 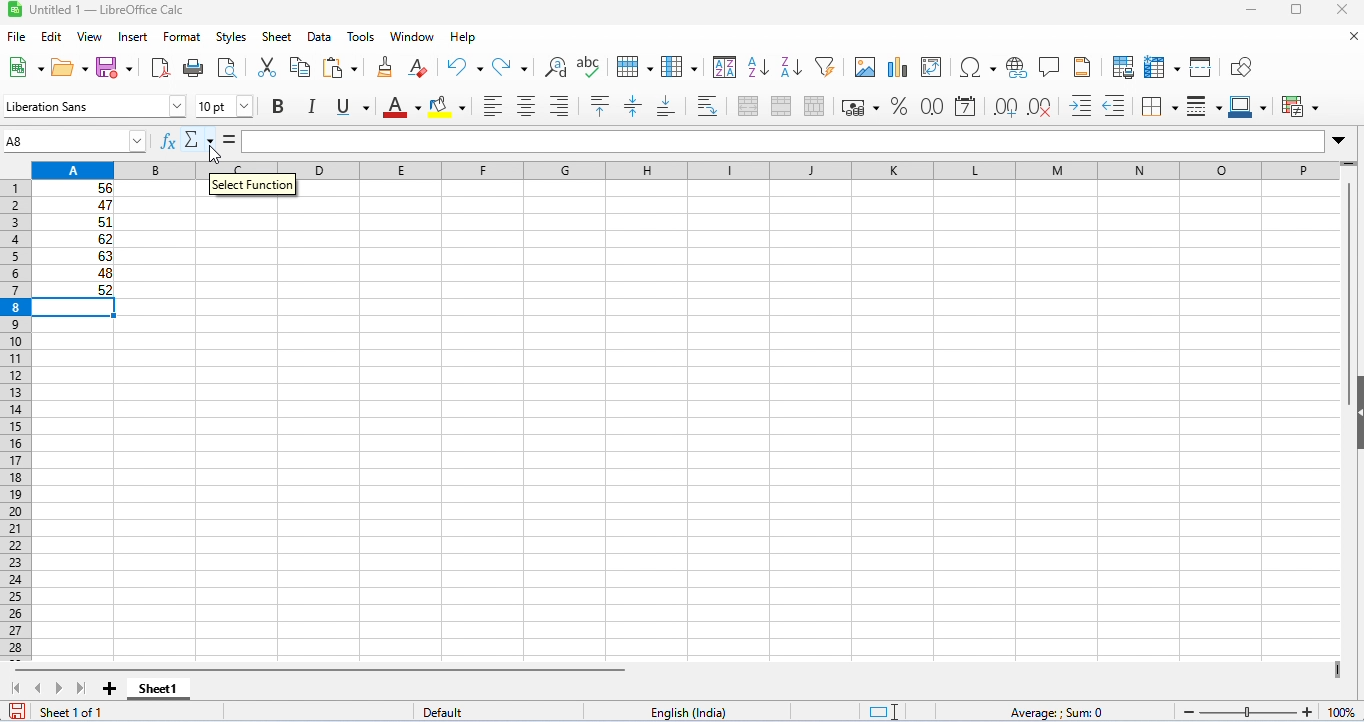 I want to click on column, so click(x=679, y=66).